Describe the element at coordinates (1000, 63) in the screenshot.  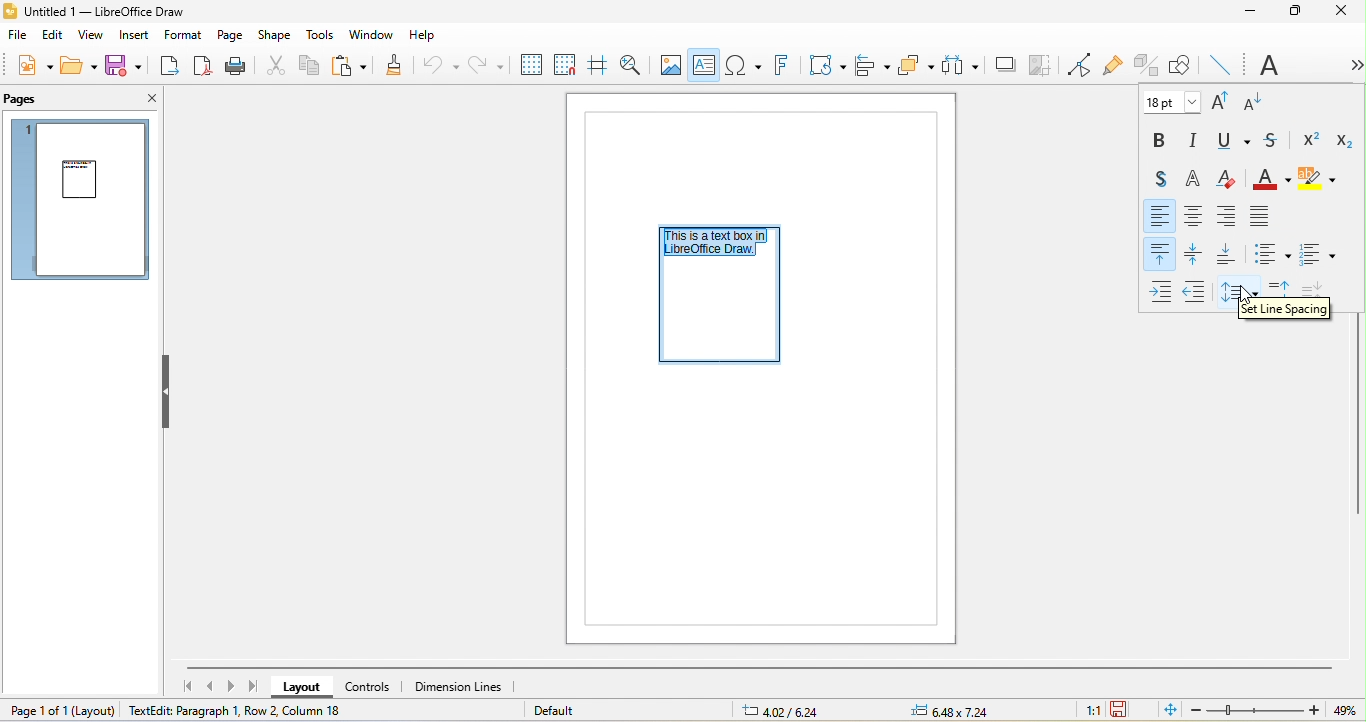
I see `shadow` at that location.